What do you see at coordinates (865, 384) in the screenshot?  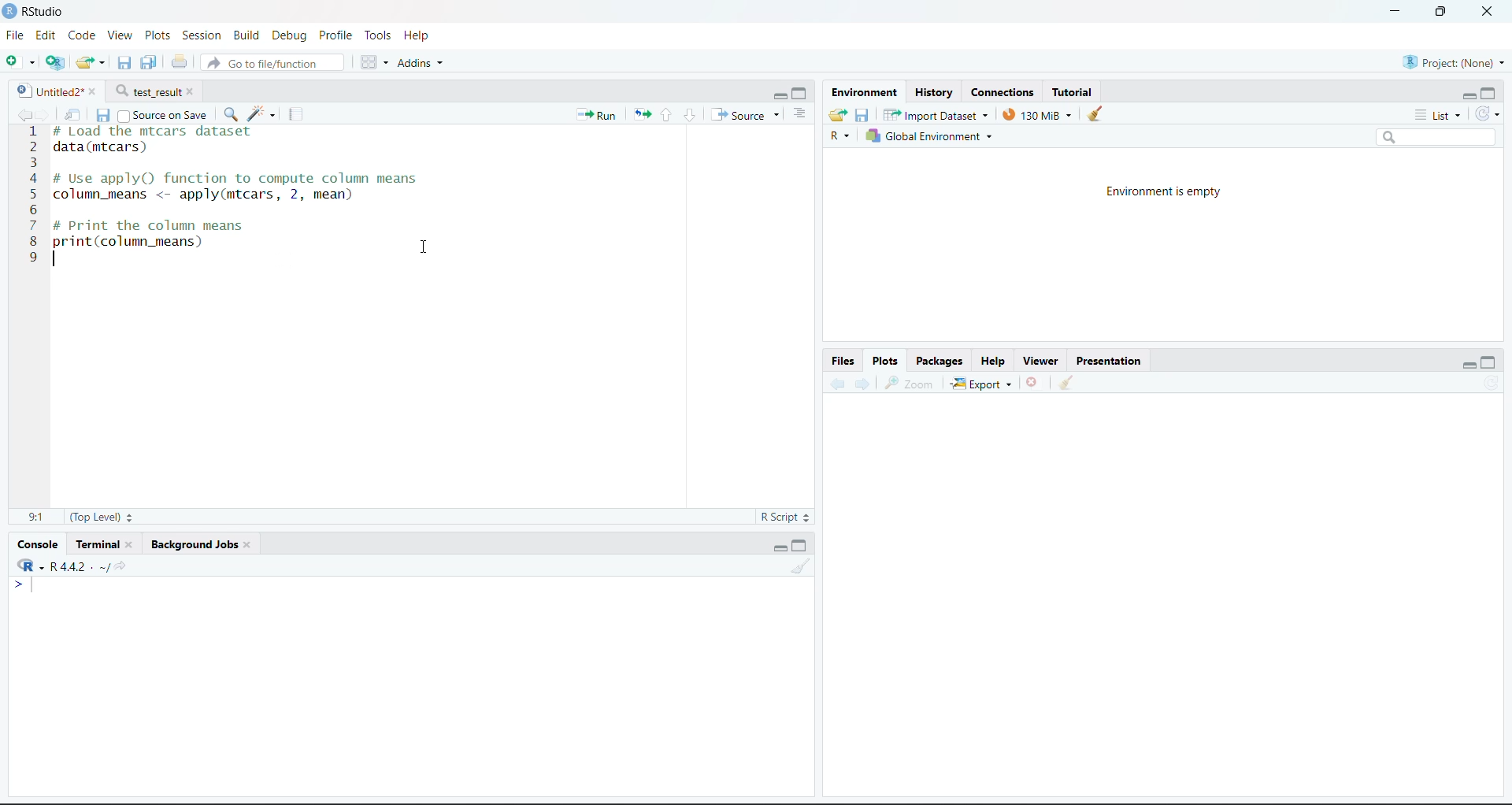 I see `Go forward to the next source location (Ctrl + F10)` at bounding box center [865, 384].